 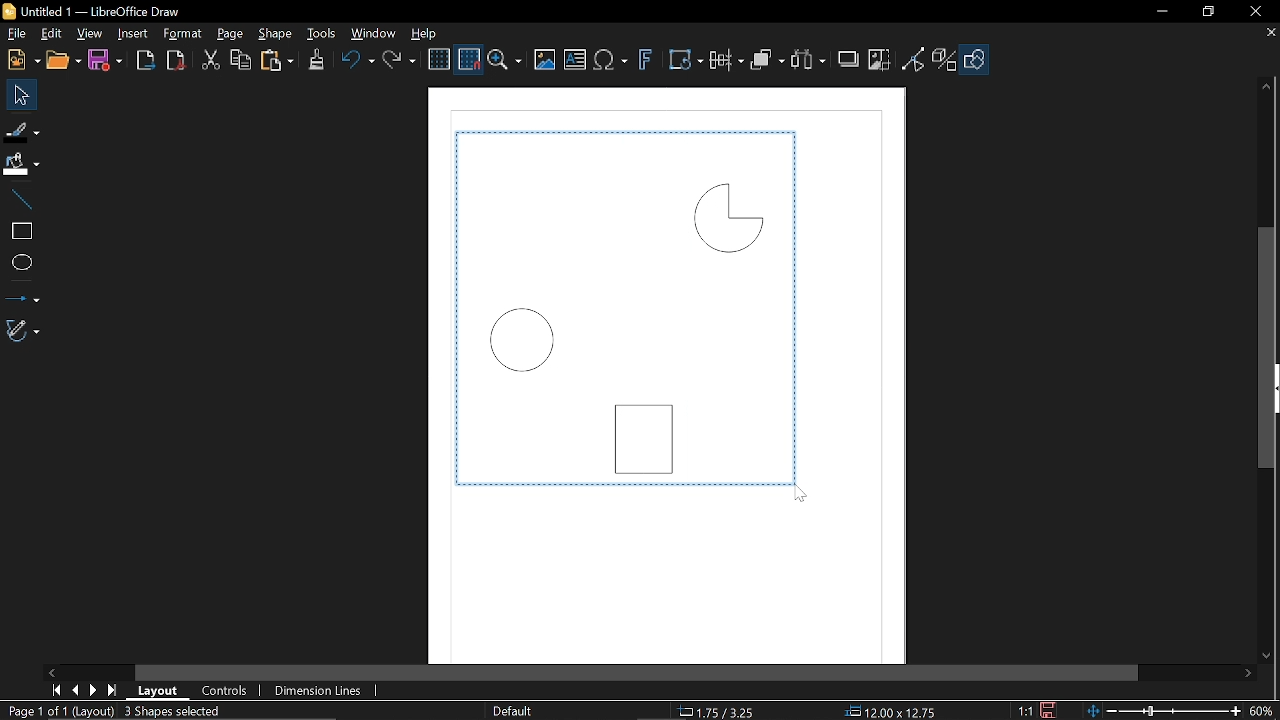 What do you see at coordinates (638, 670) in the screenshot?
I see `Horizontal scrollbar` at bounding box center [638, 670].